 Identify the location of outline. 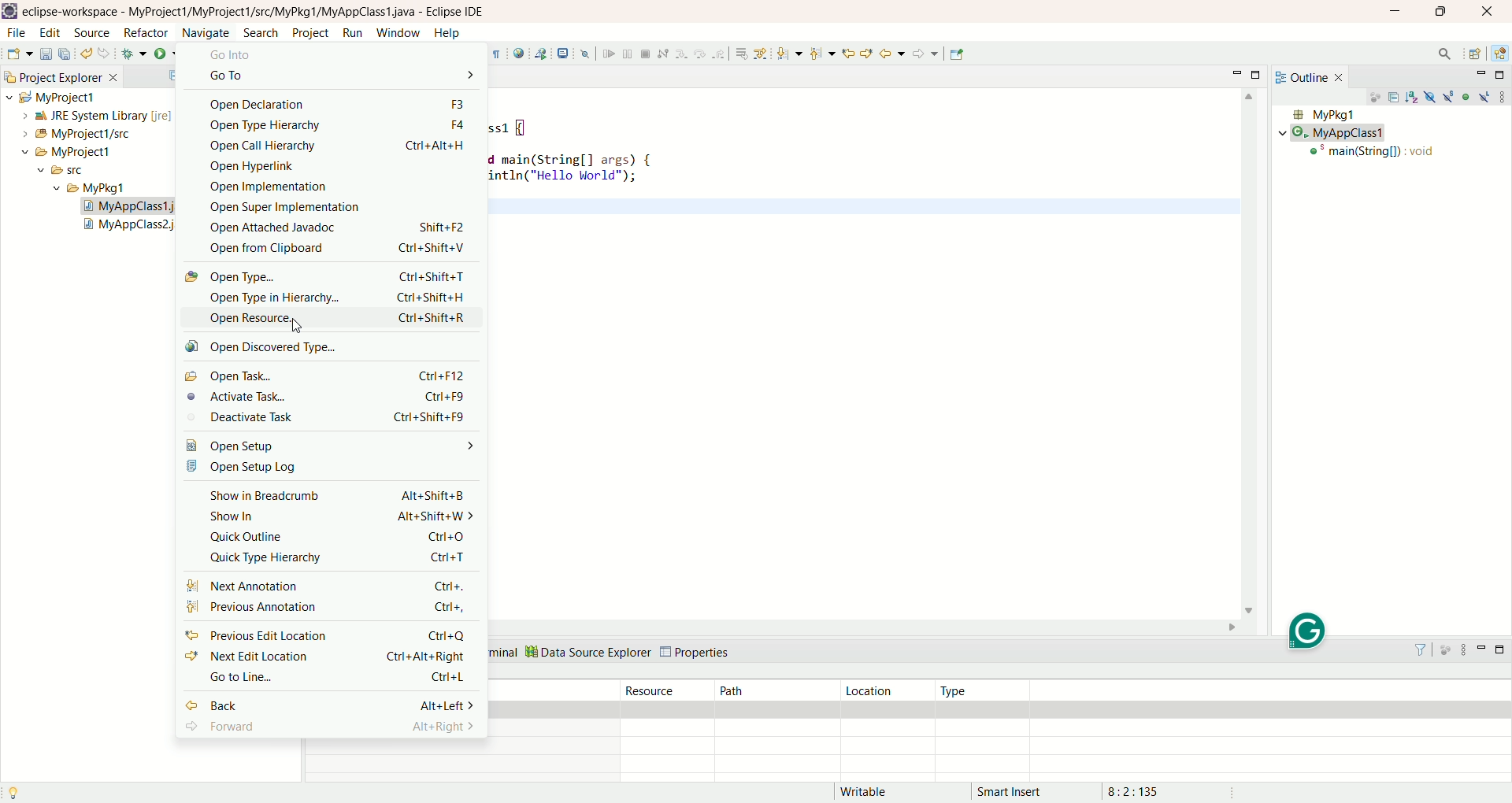
(1313, 76).